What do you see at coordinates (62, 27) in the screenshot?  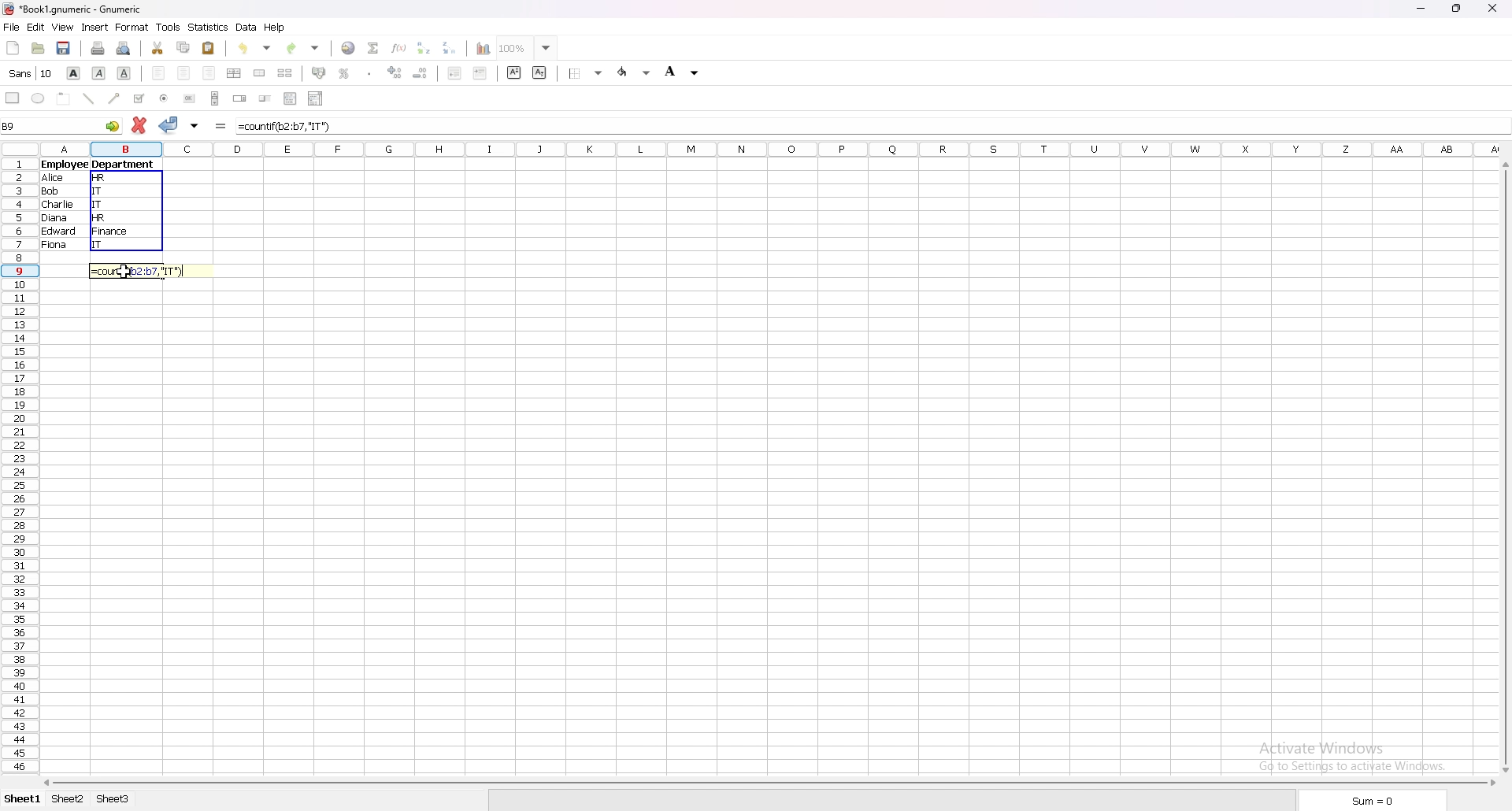 I see `view` at bounding box center [62, 27].